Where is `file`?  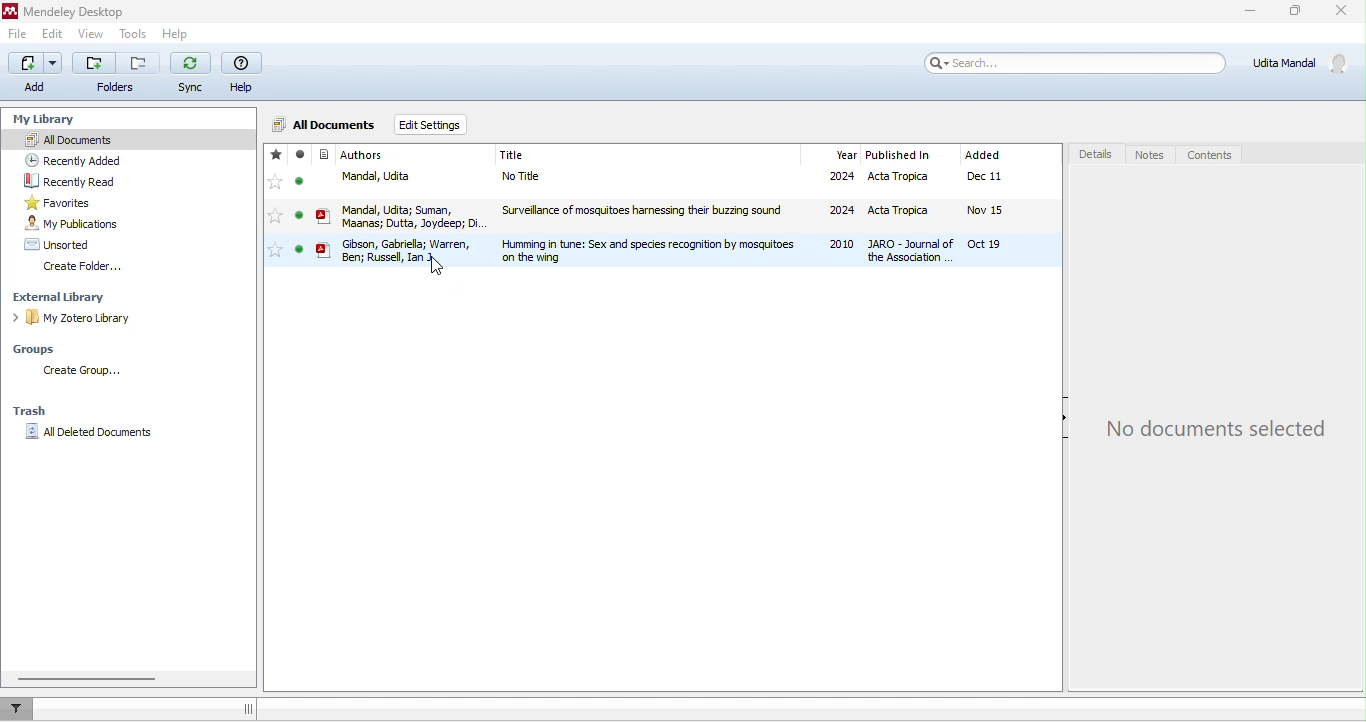 file is located at coordinates (698, 250).